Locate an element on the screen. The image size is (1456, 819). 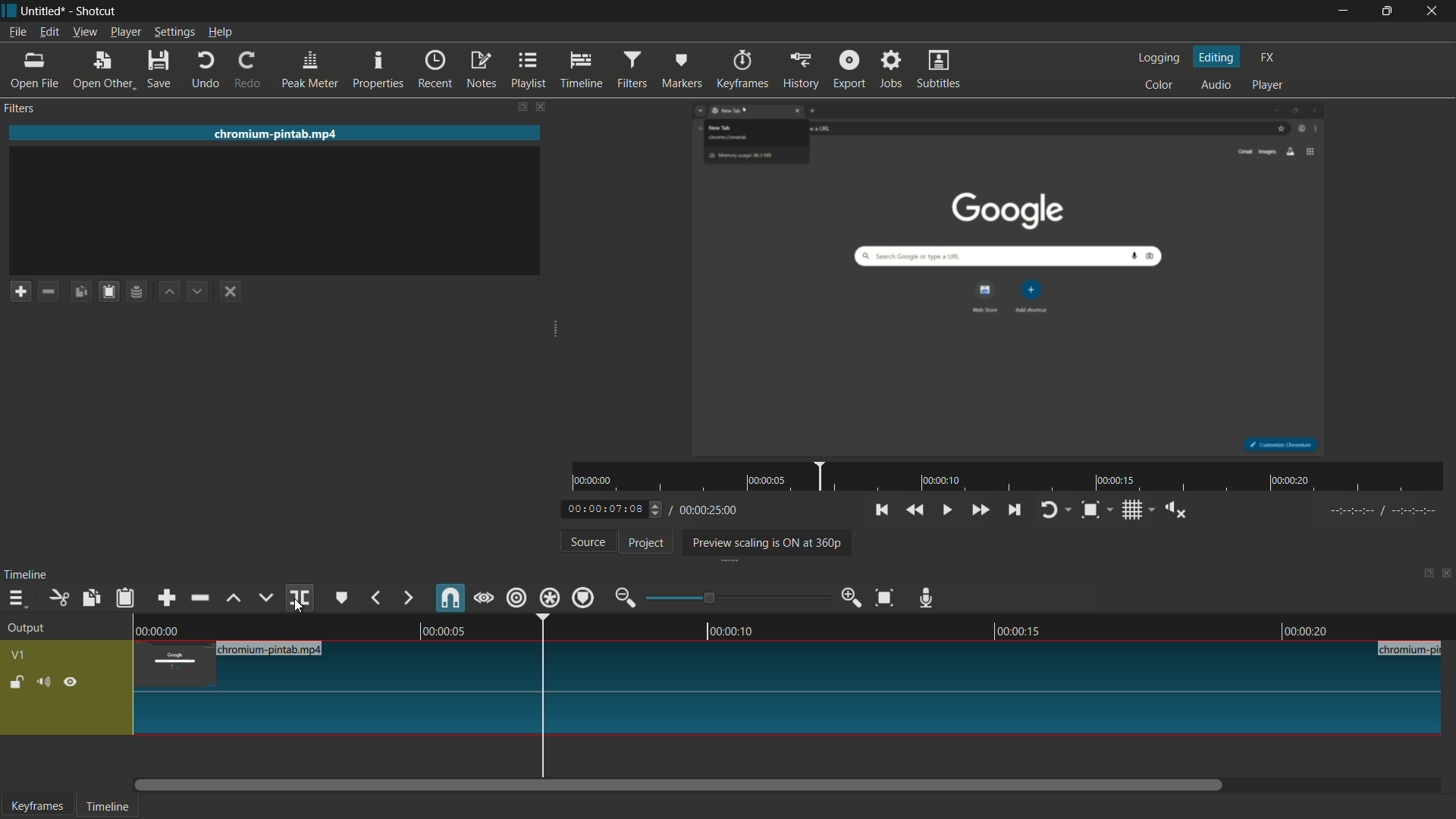
subtitles is located at coordinates (940, 68).